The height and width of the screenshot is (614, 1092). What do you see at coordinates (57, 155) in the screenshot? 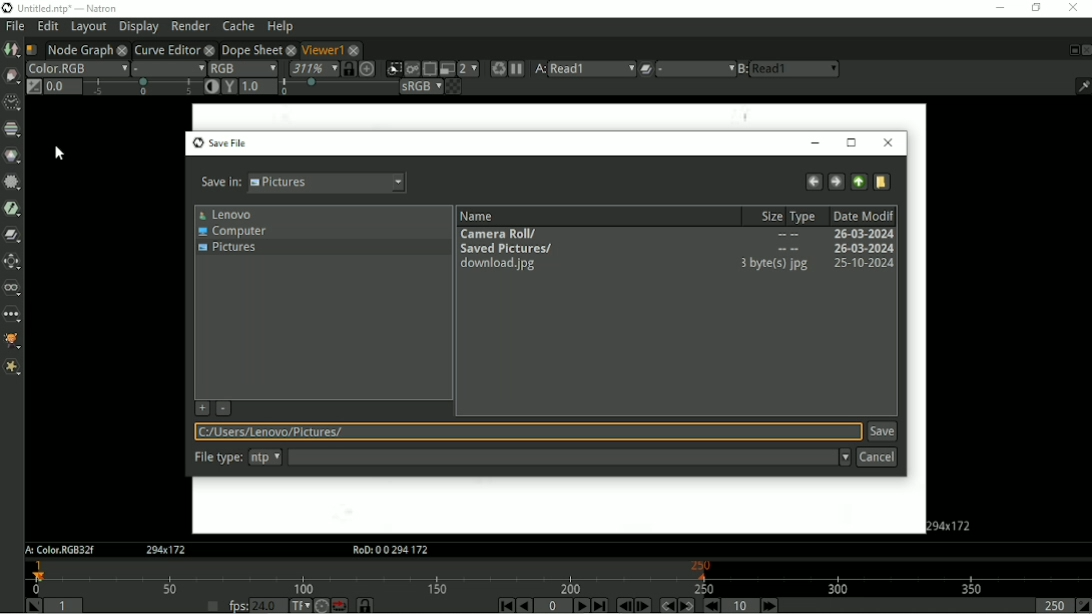
I see `Cursor` at bounding box center [57, 155].